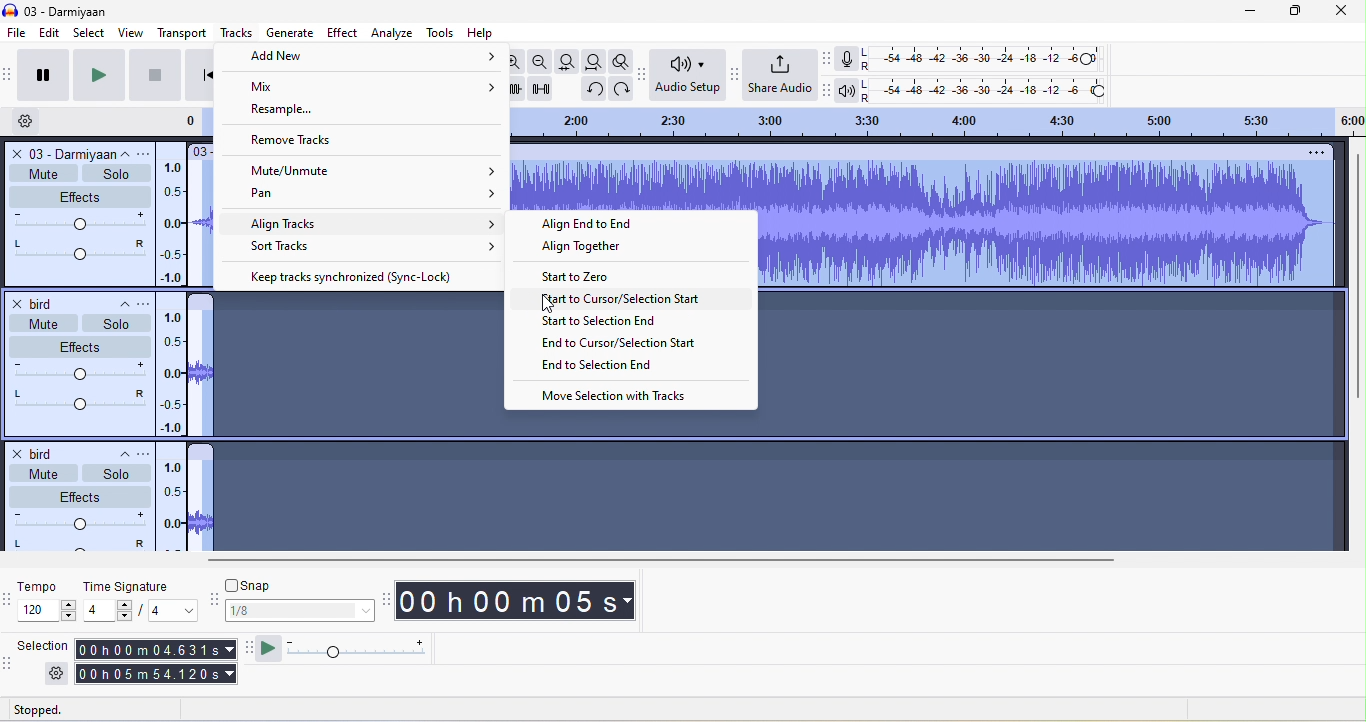 The image size is (1366, 722). What do you see at coordinates (472, 480) in the screenshot?
I see `Selected trackt` at bounding box center [472, 480].